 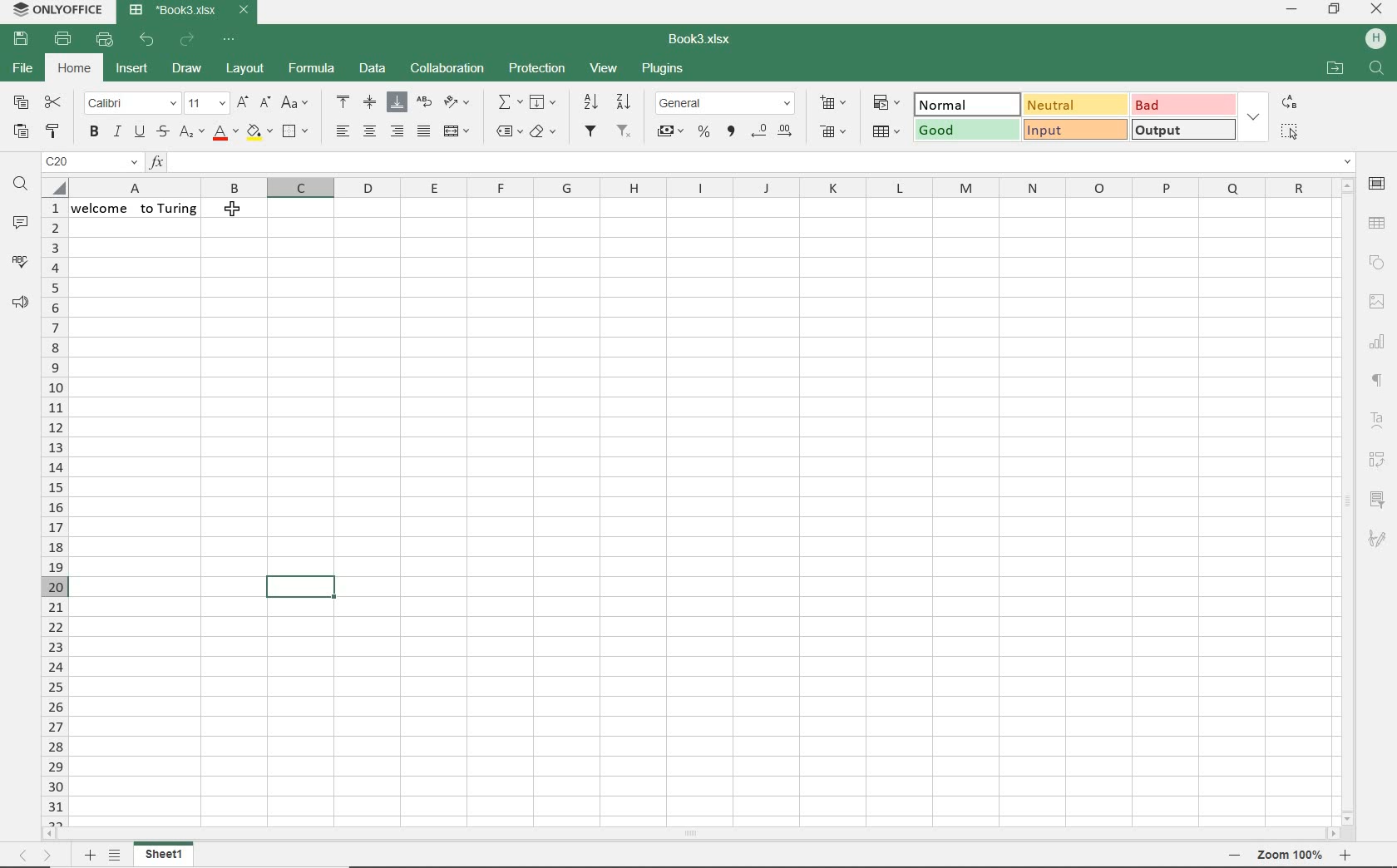 What do you see at coordinates (133, 70) in the screenshot?
I see `insert` at bounding box center [133, 70].